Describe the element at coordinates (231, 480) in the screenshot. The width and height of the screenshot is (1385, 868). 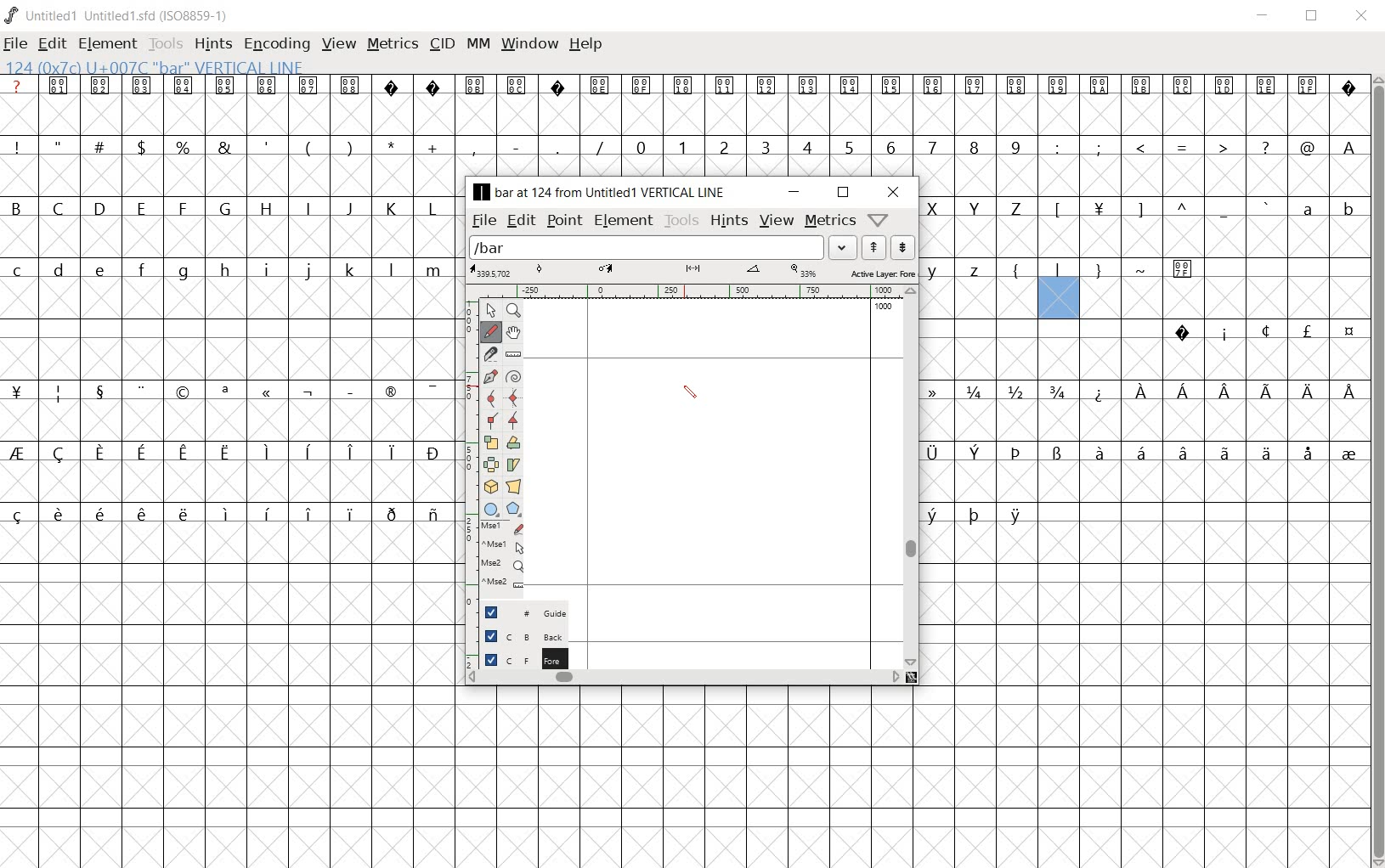
I see `empty cells` at that location.